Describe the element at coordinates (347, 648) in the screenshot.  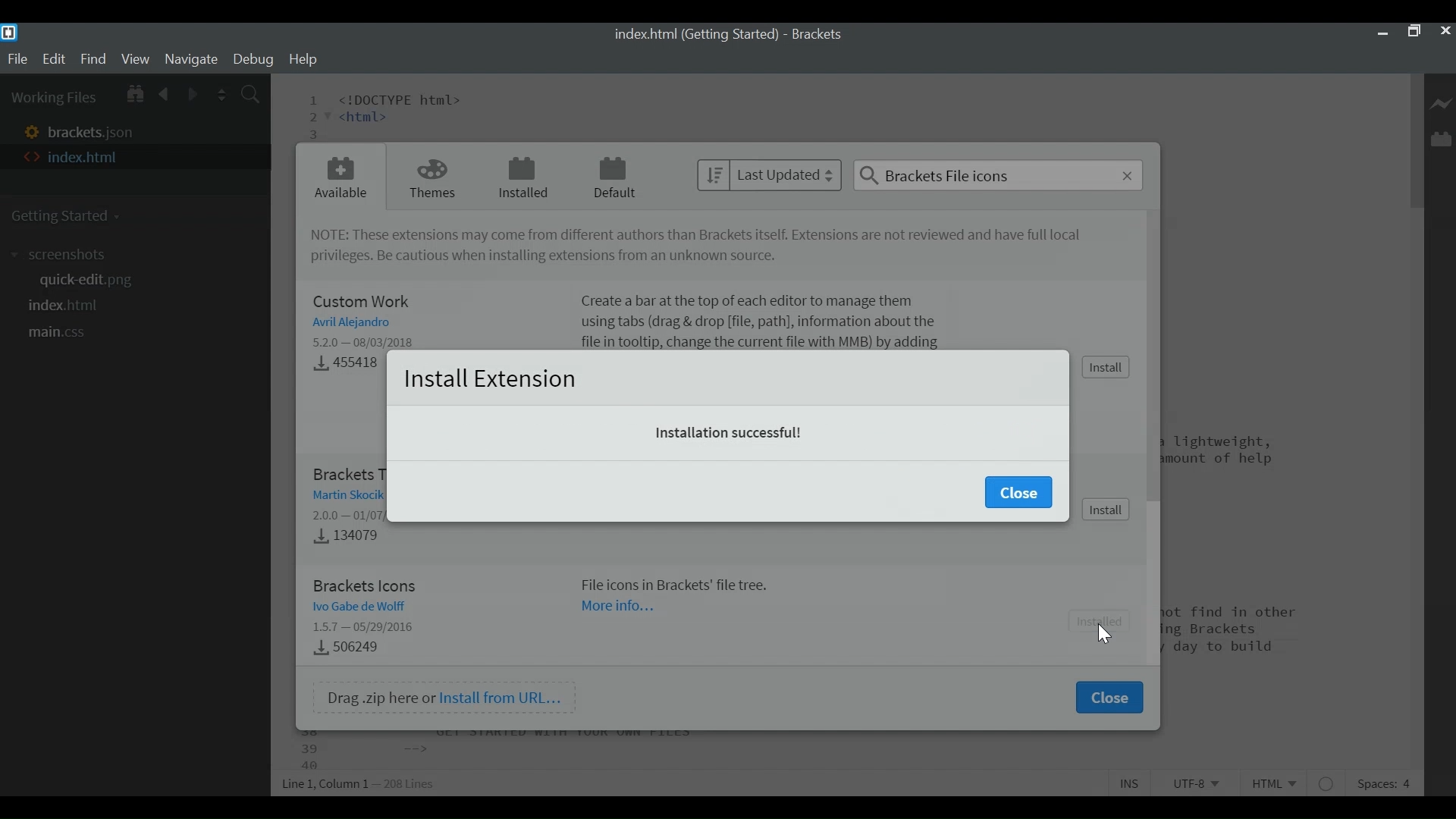
I see `Downloads` at that location.